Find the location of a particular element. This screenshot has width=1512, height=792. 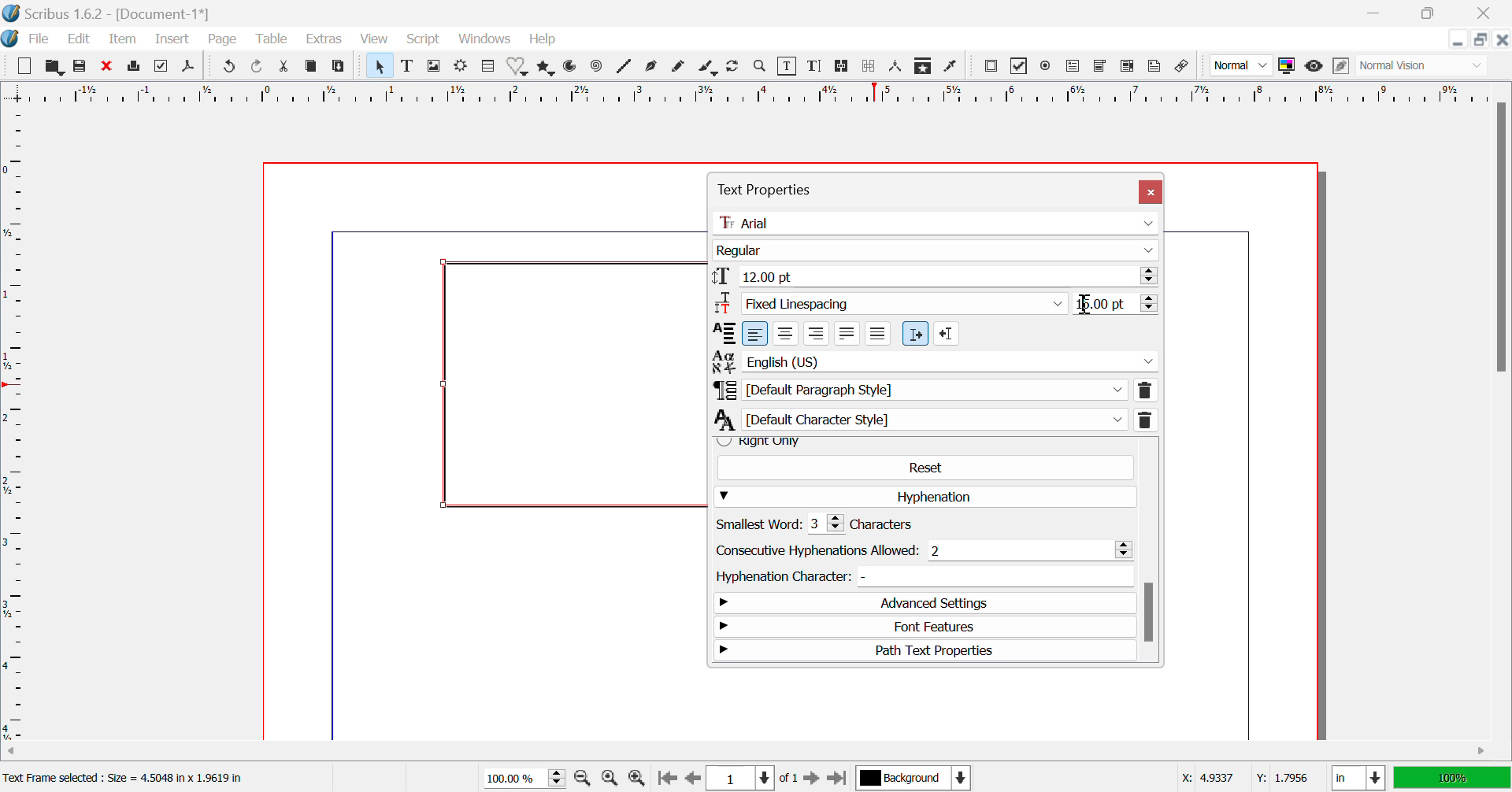

Text Frame selected : Size = 4.5048 in x 1.9619 in is located at coordinates (130, 778).